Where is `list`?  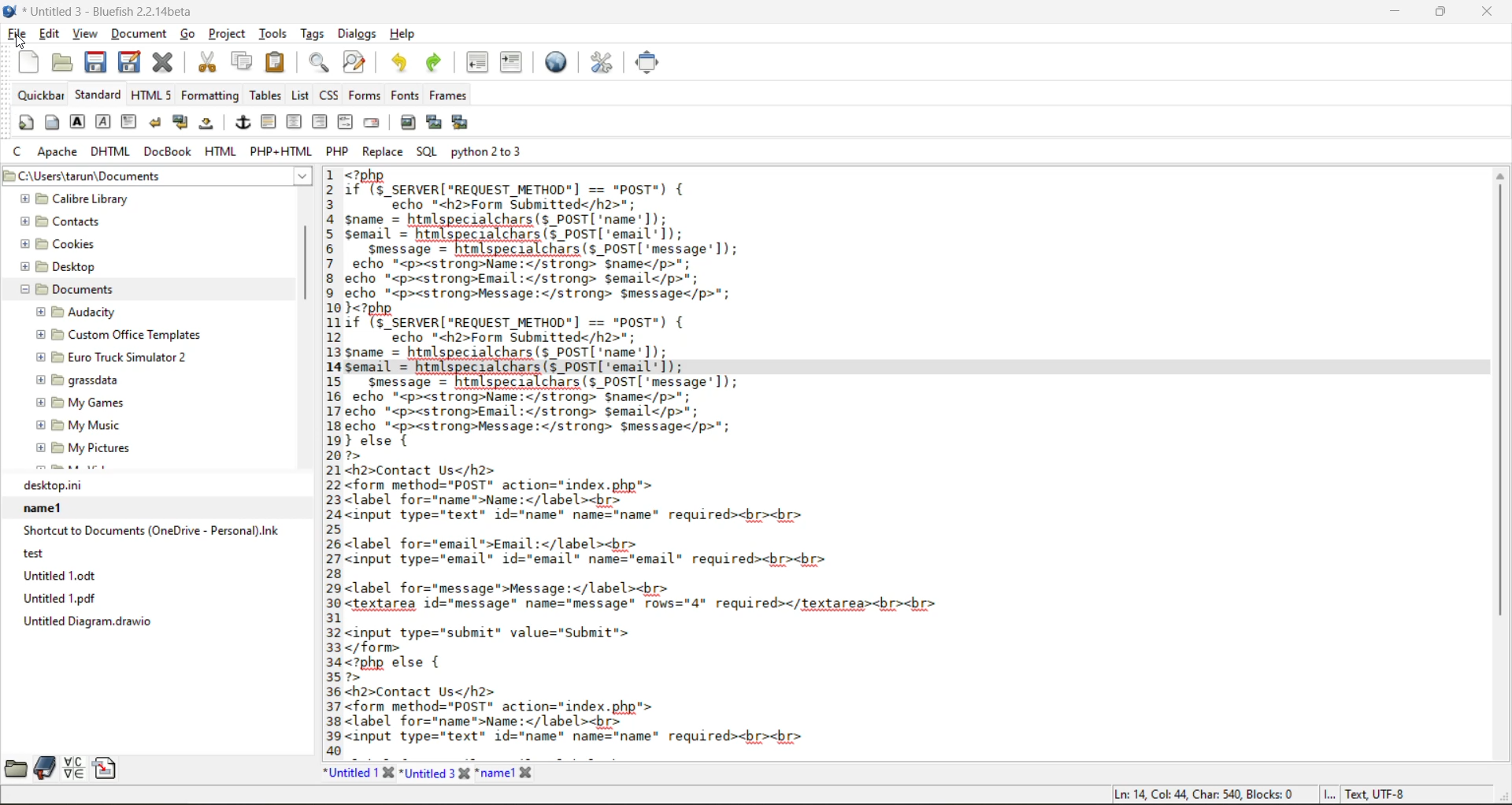
list is located at coordinates (301, 96).